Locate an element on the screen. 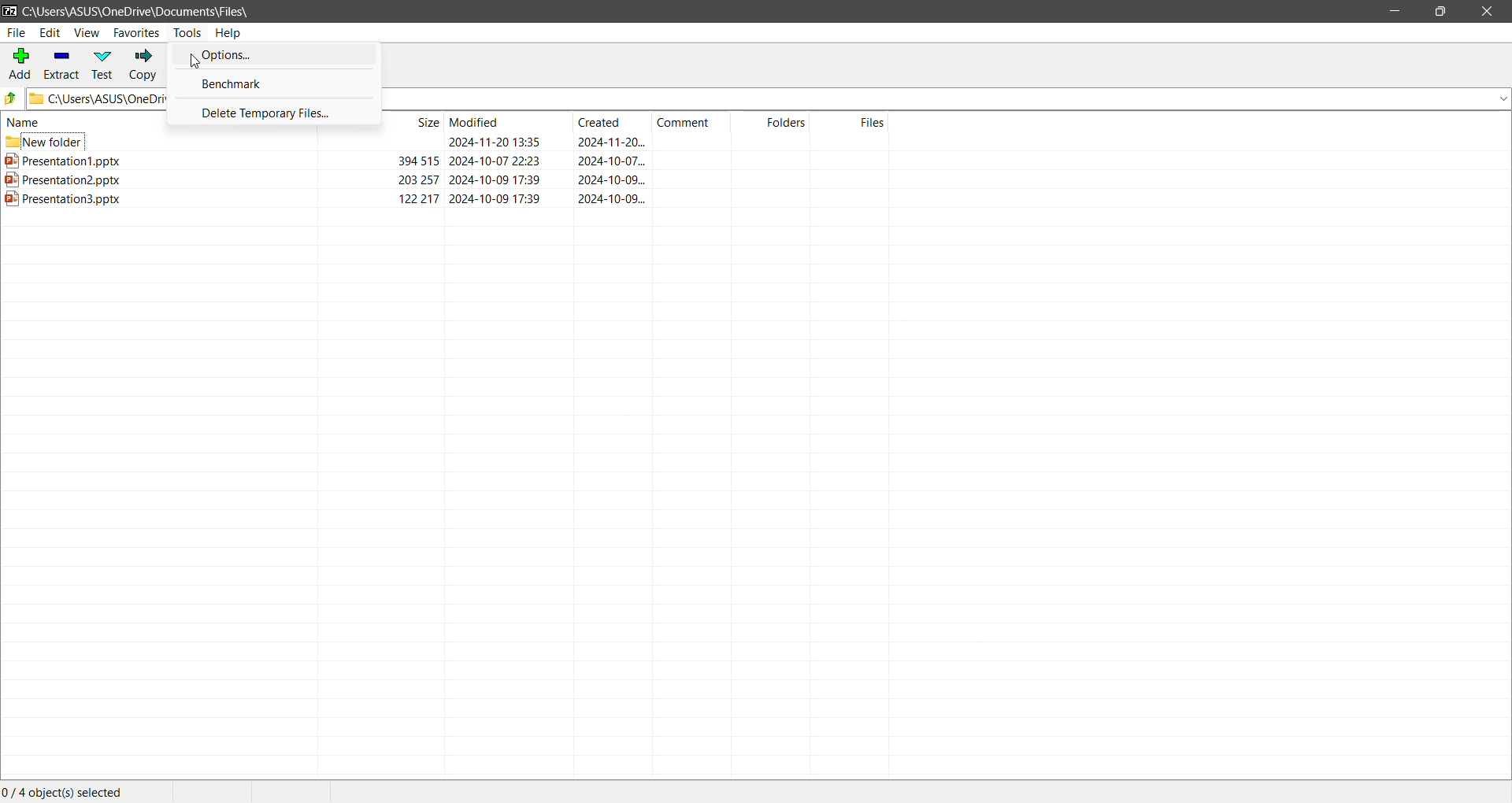 The width and height of the screenshot is (1512, 803). Options is located at coordinates (276, 56).